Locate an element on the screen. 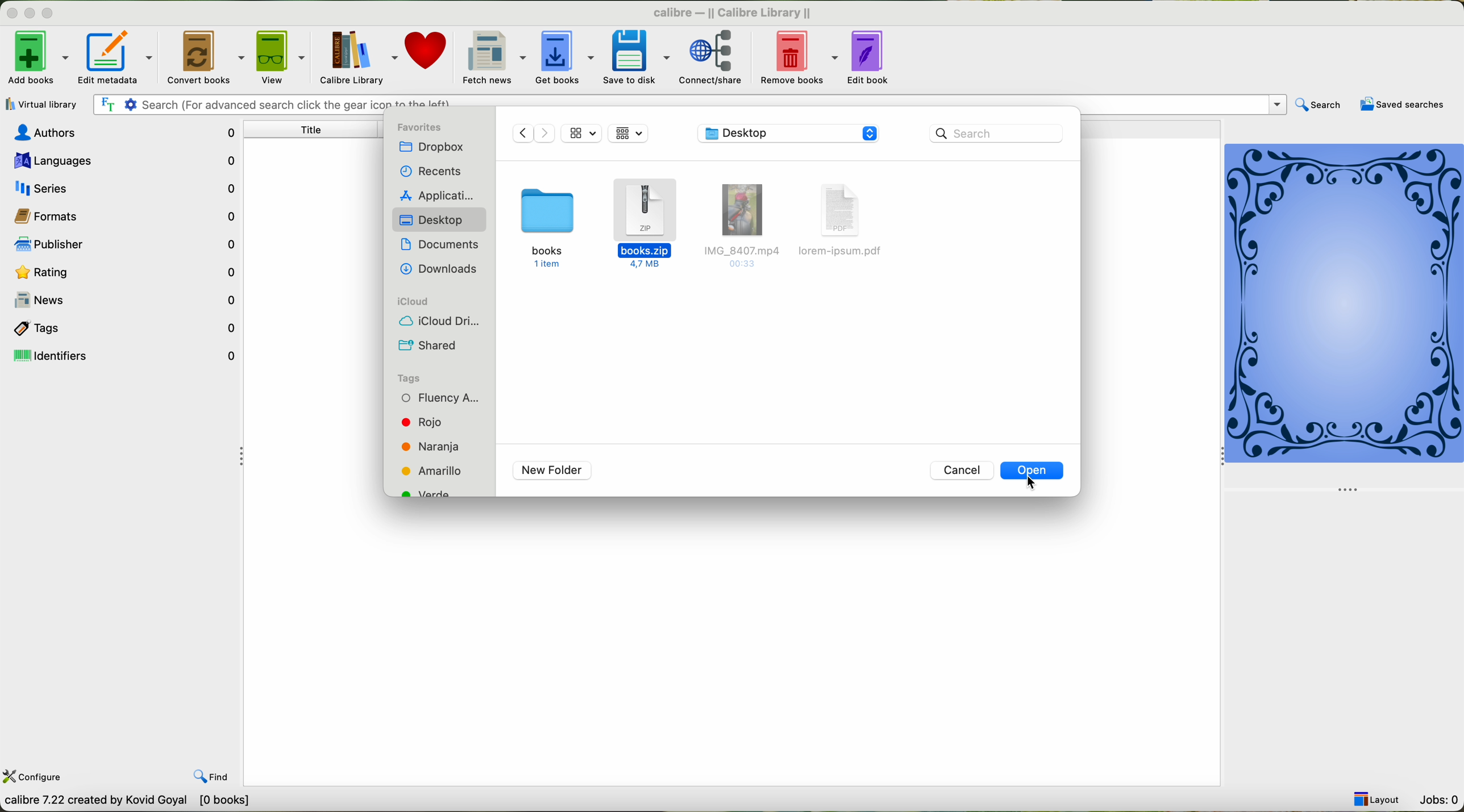 Image resolution: width=1464 pixels, height=812 pixels. IMG_8407.mp4 is located at coordinates (738, 224).